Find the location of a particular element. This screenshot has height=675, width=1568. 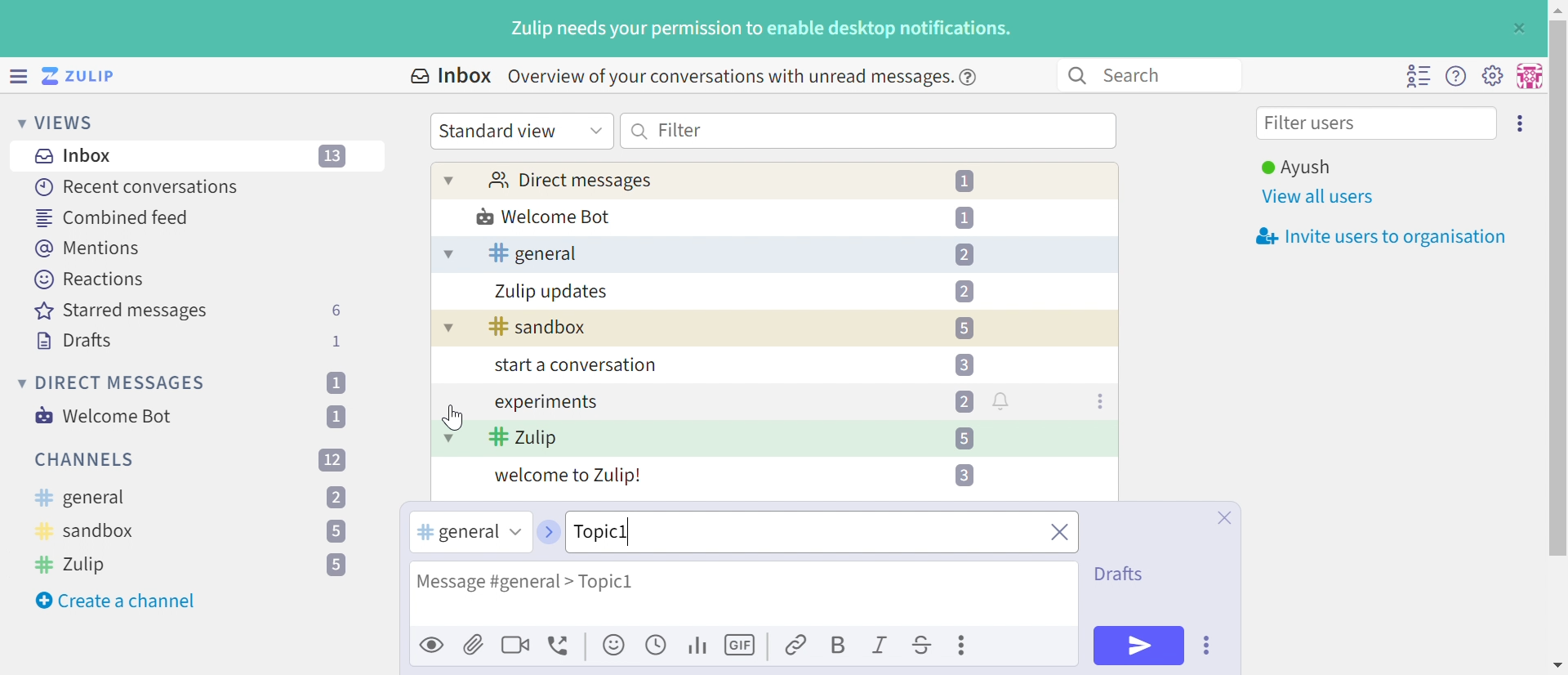

Preview is located at coordinates (433, 644).